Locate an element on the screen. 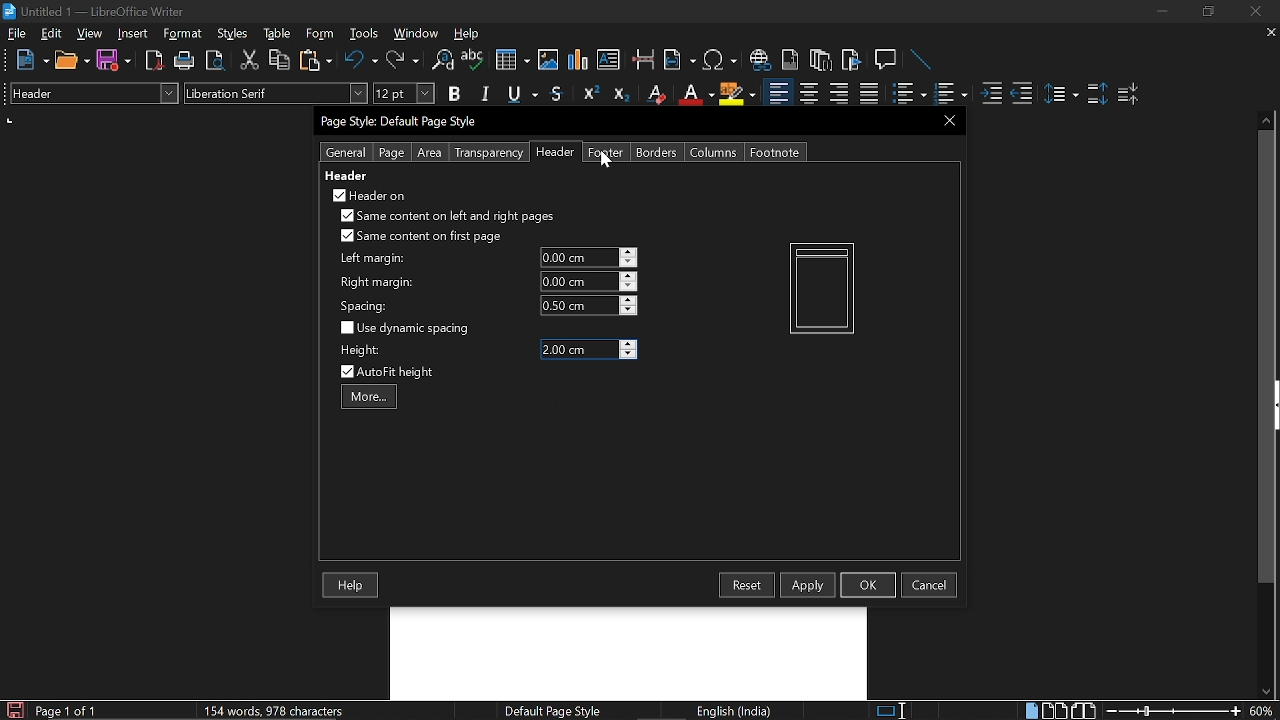  current right margin is located at coordinates (577, 281).